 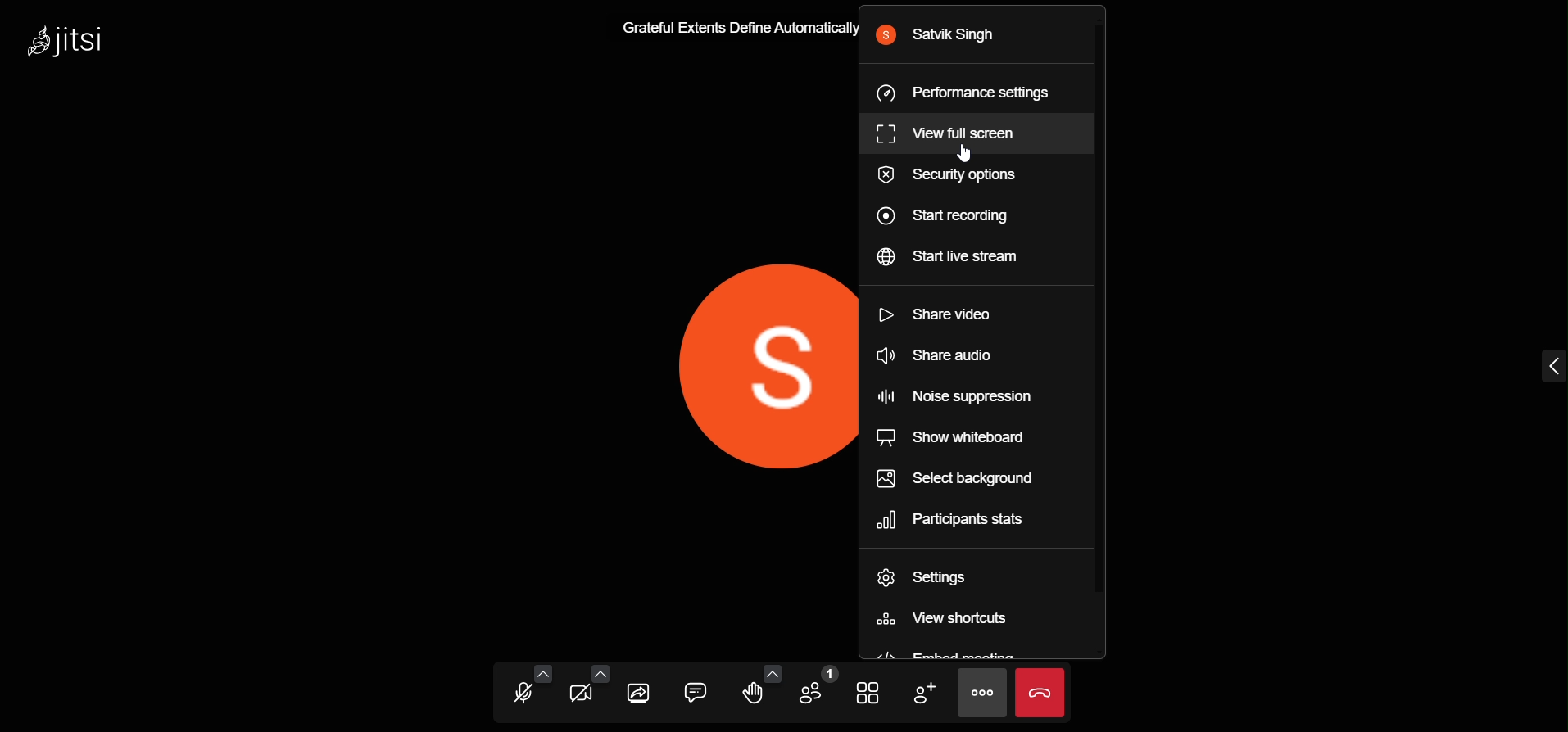 What do you see at coordinates (1545, 365) in the screenshot?
I see `expand` at bounding box center [1545, 365].